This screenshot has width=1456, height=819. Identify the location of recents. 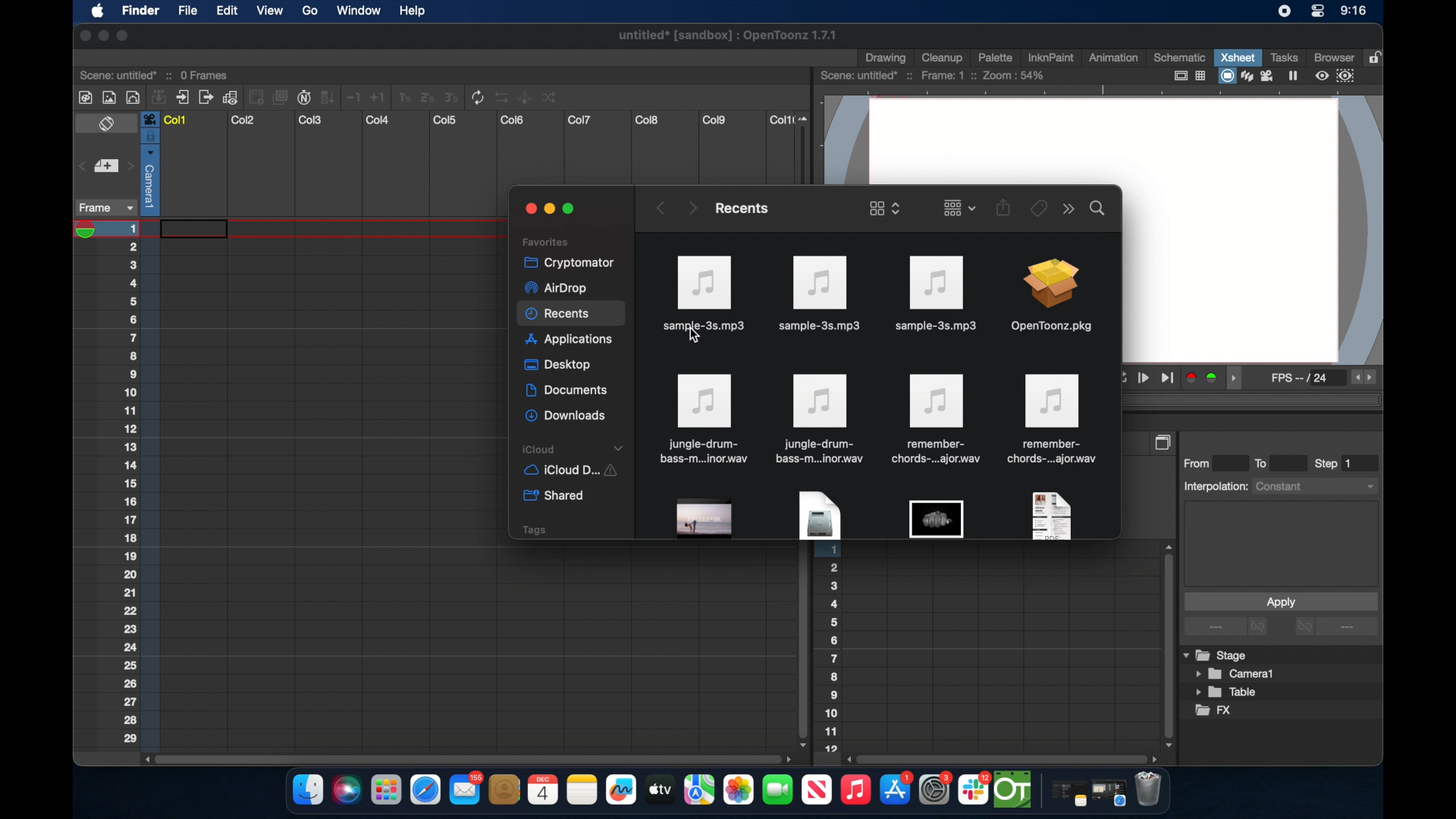
(740, 208).